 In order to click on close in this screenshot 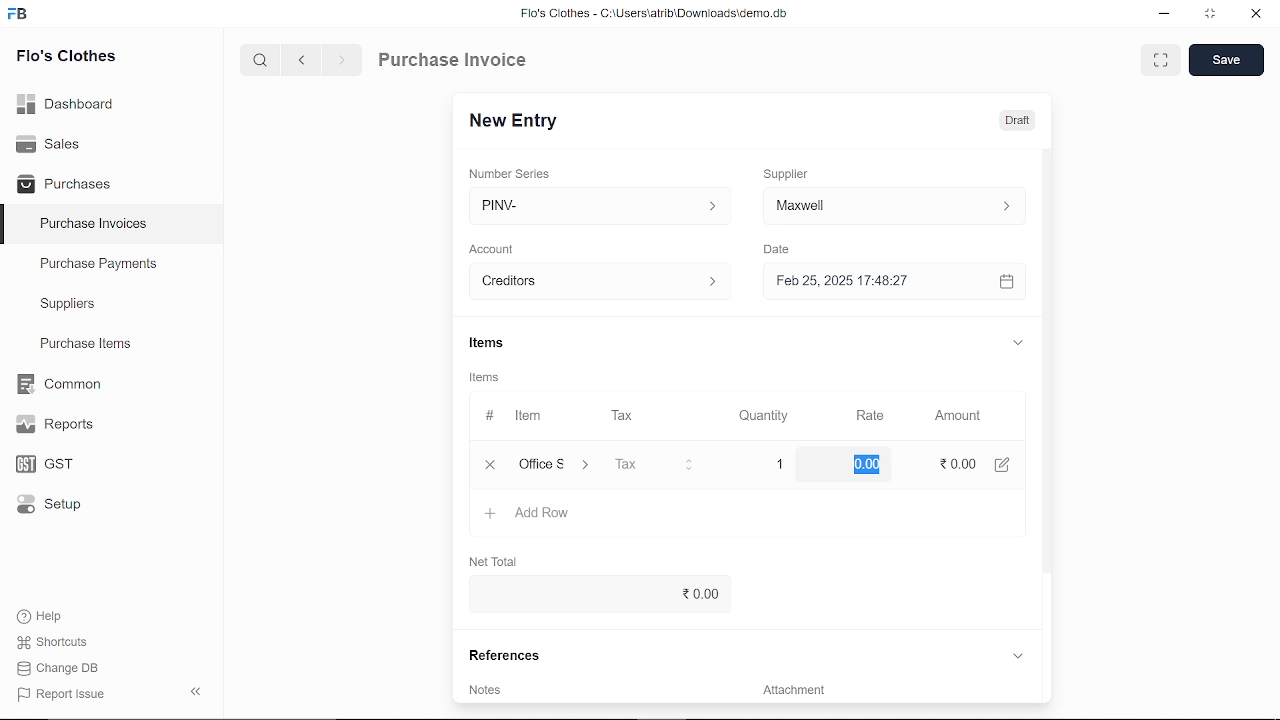, I will do `click(1254, 16)`.